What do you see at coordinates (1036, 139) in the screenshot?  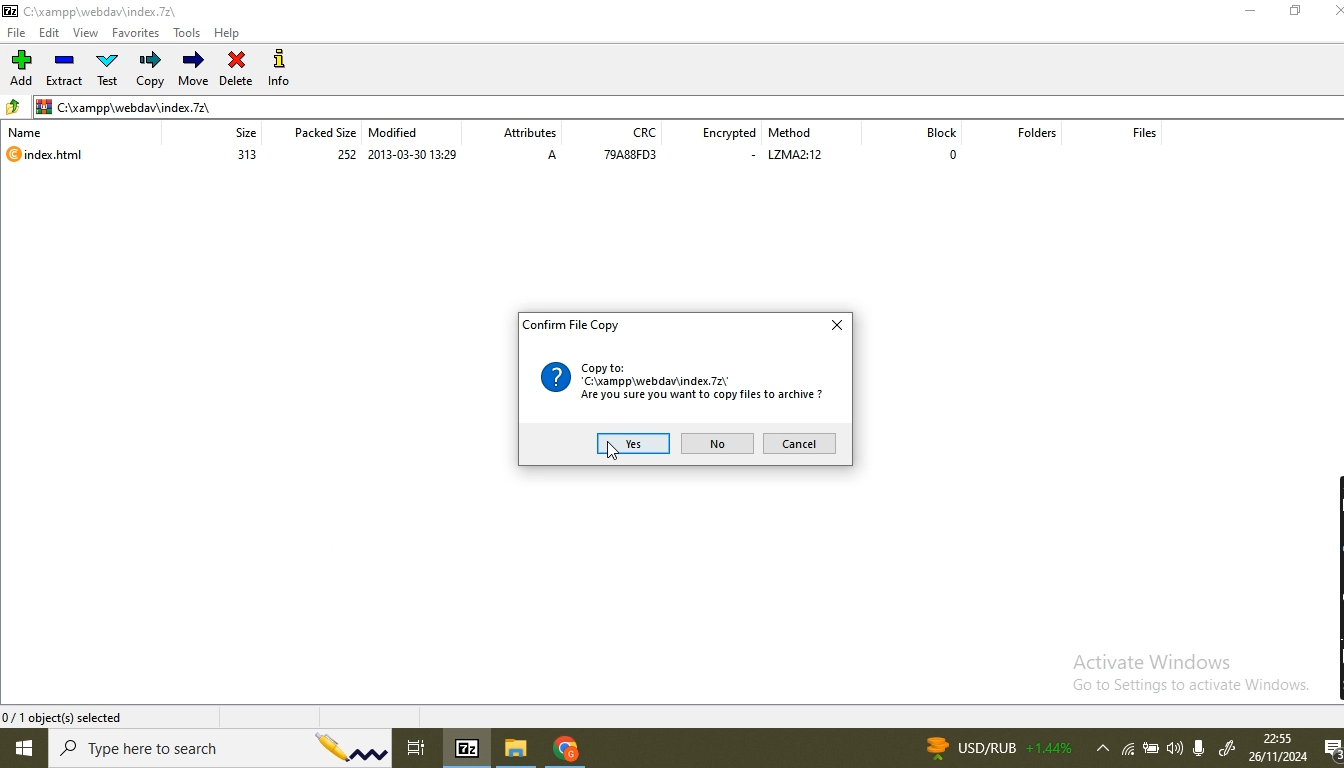 I see `folders` at bounding box center [1036, 139].